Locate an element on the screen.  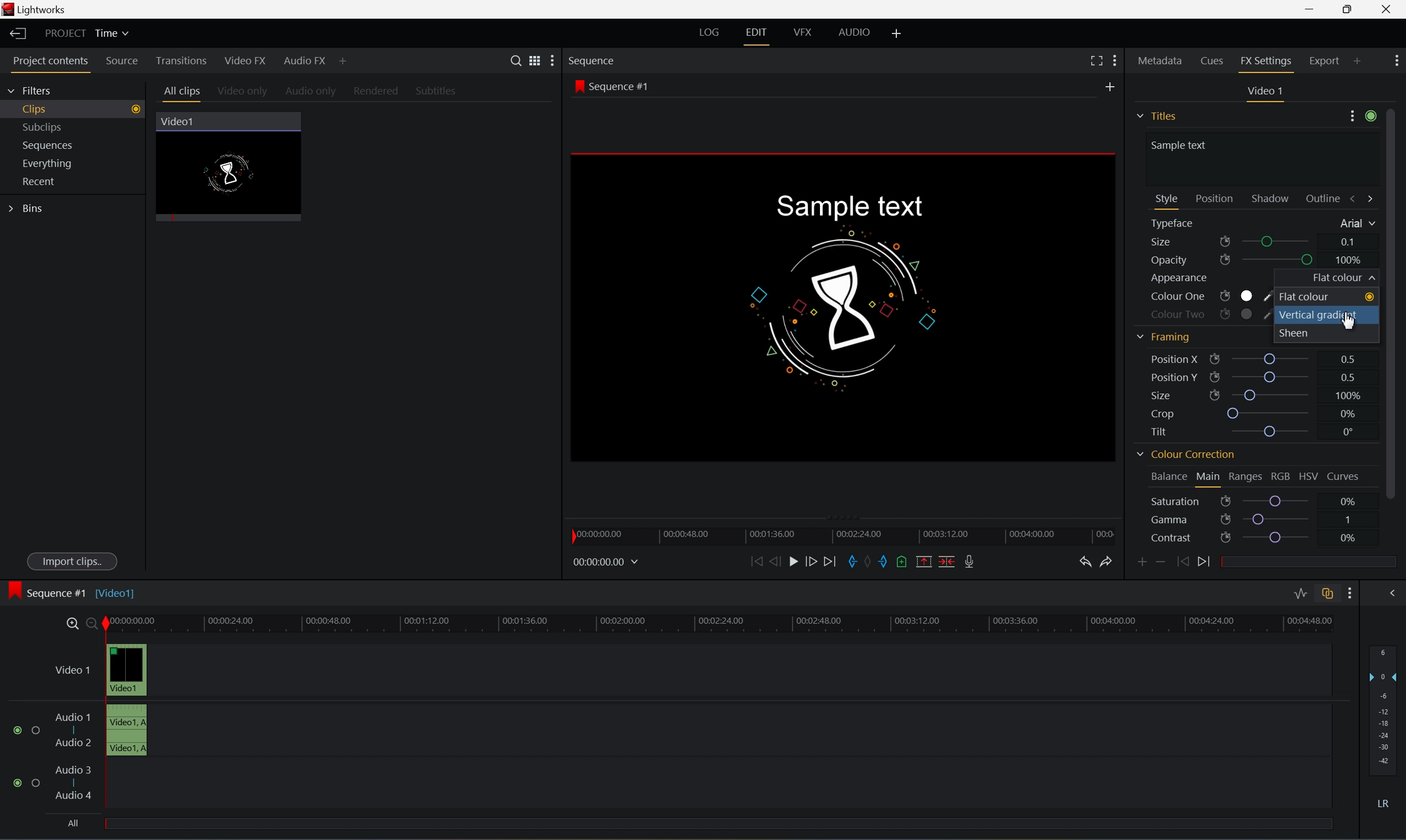
import clips is located at coordinates (74, 563).